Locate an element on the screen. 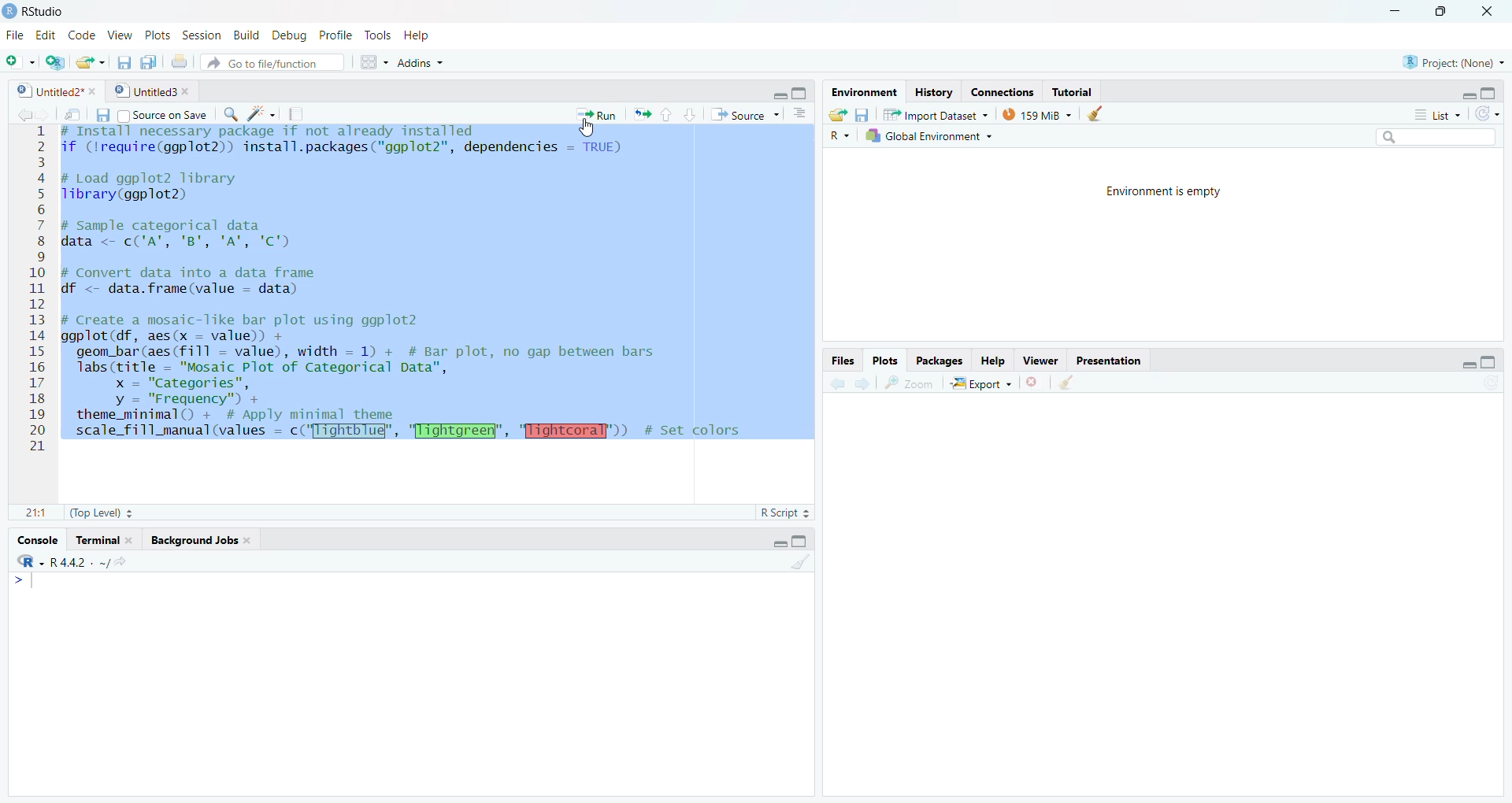  New file is located at coordinates (19, 62).